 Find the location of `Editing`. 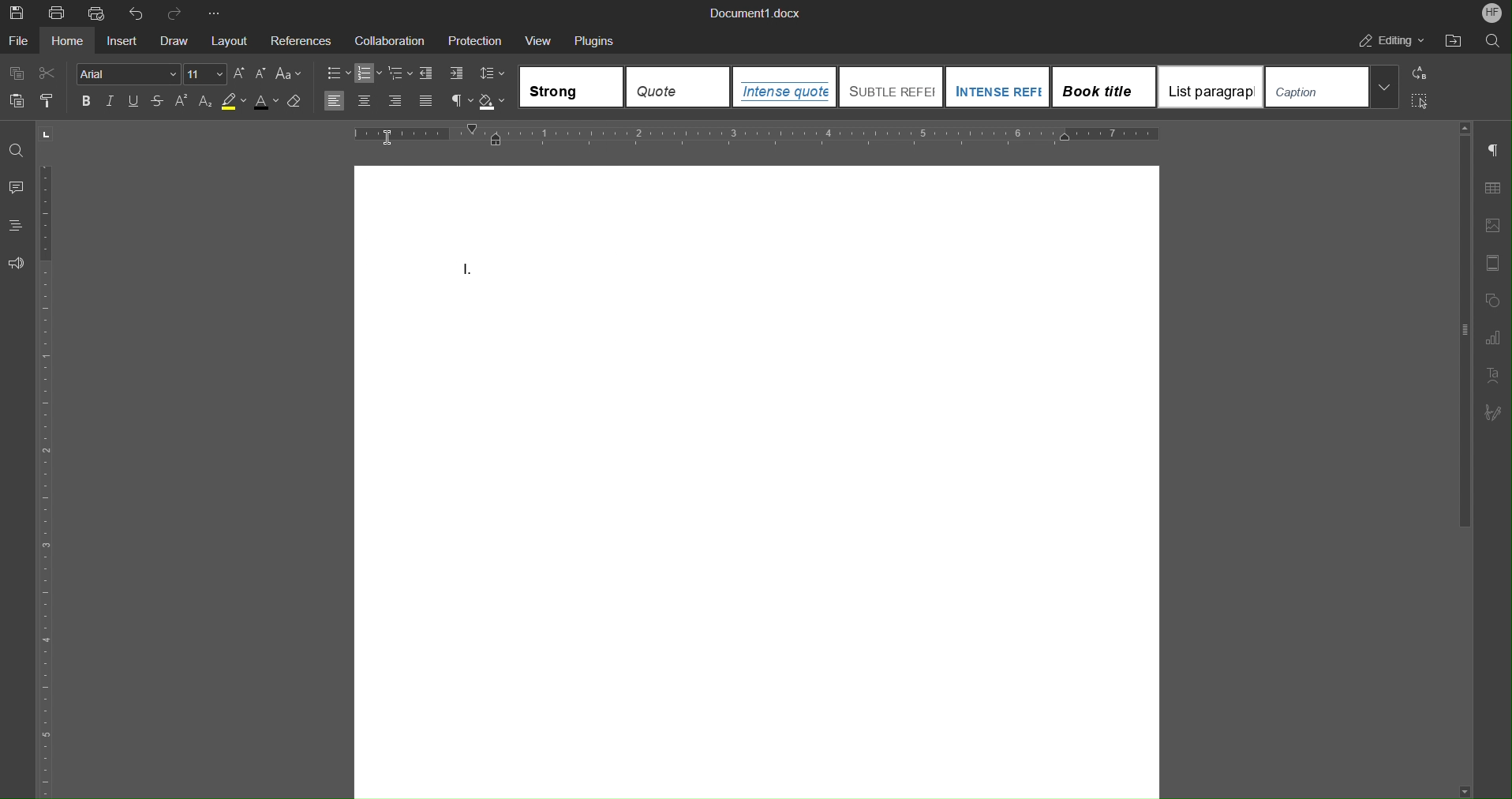

Editing is located at coordinates (1392, 41).